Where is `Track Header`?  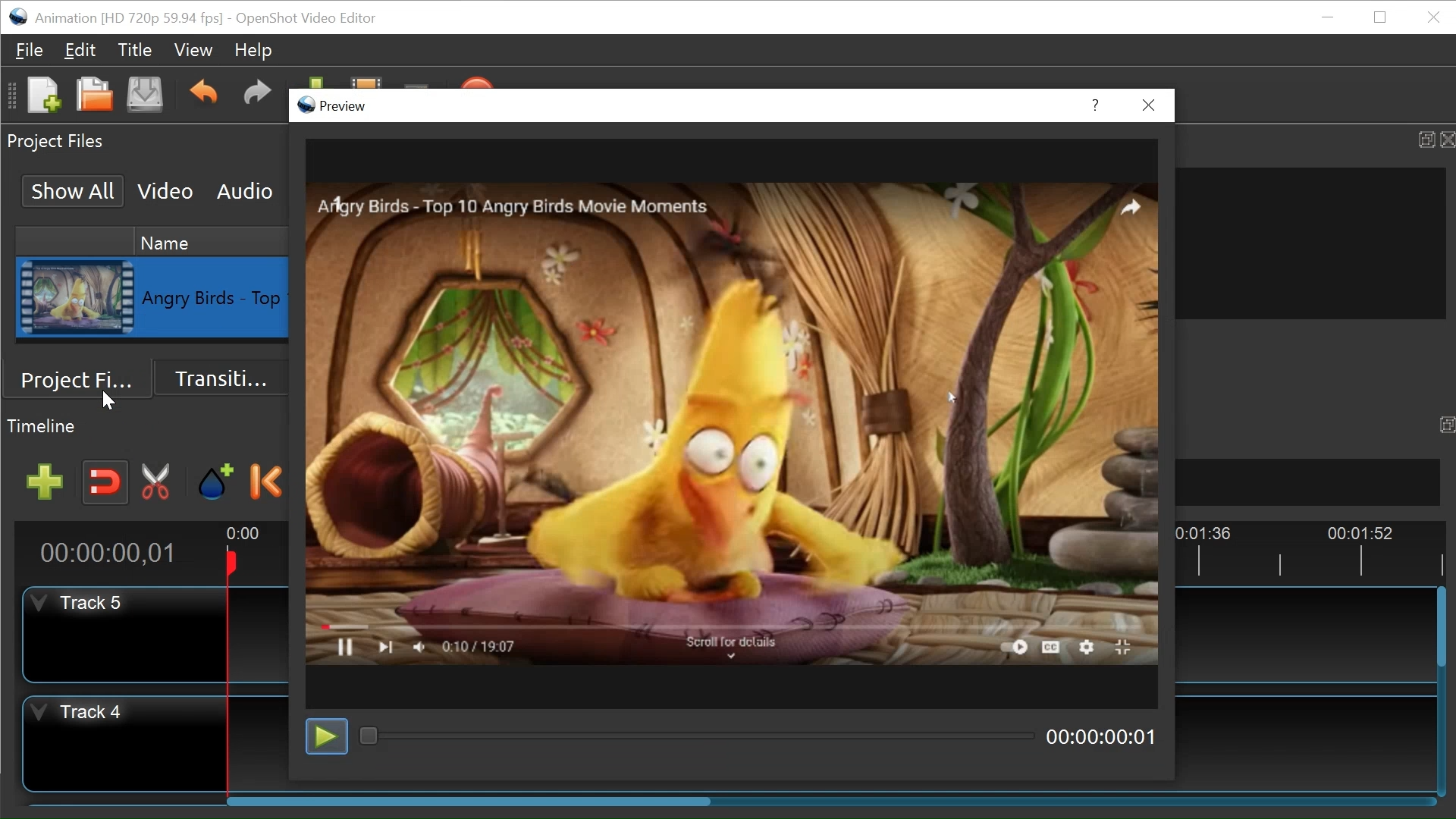 Track Header is located at coordinates (125, 636).